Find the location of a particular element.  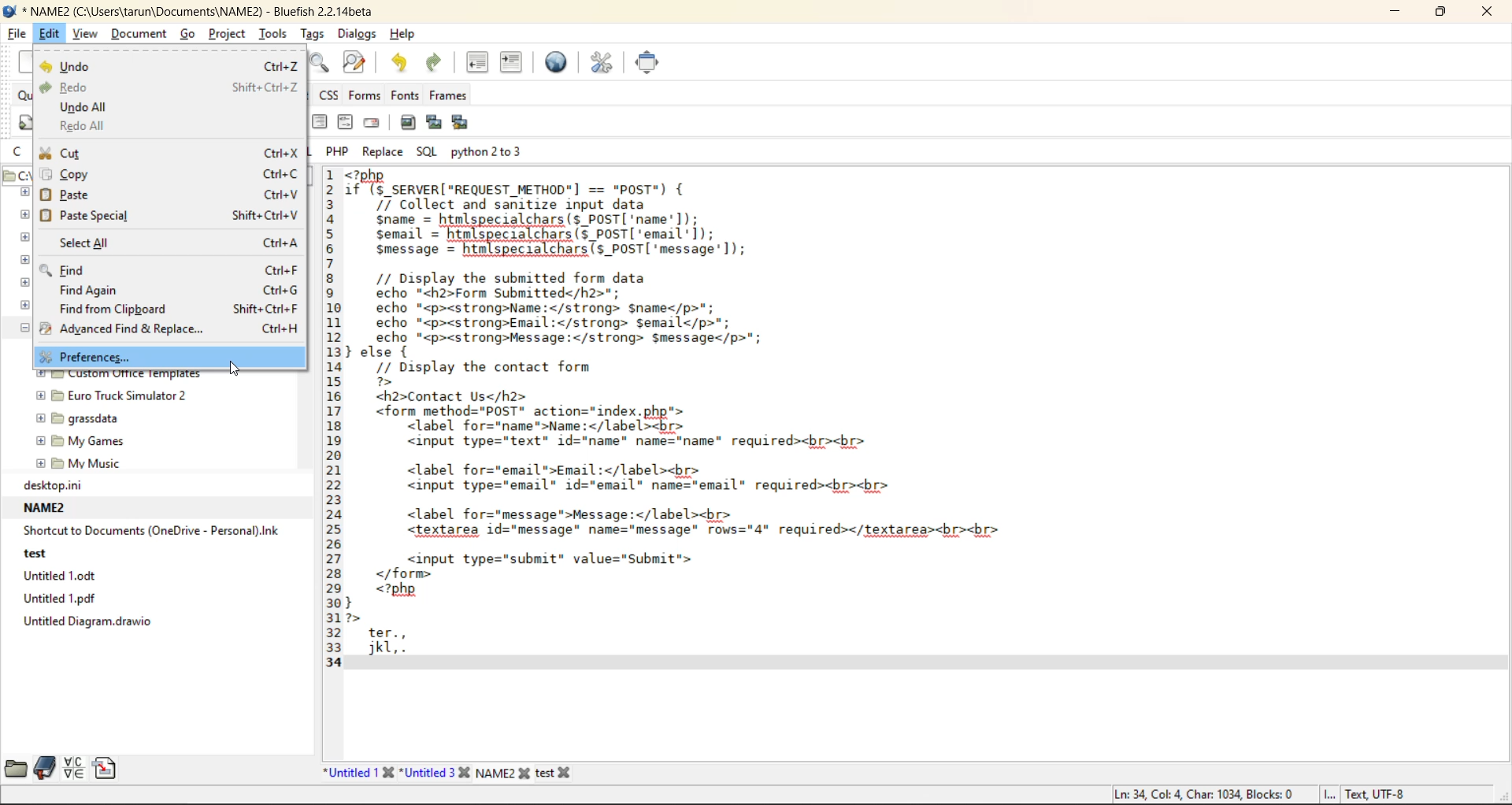

copy is located at coordinates (168, 176).